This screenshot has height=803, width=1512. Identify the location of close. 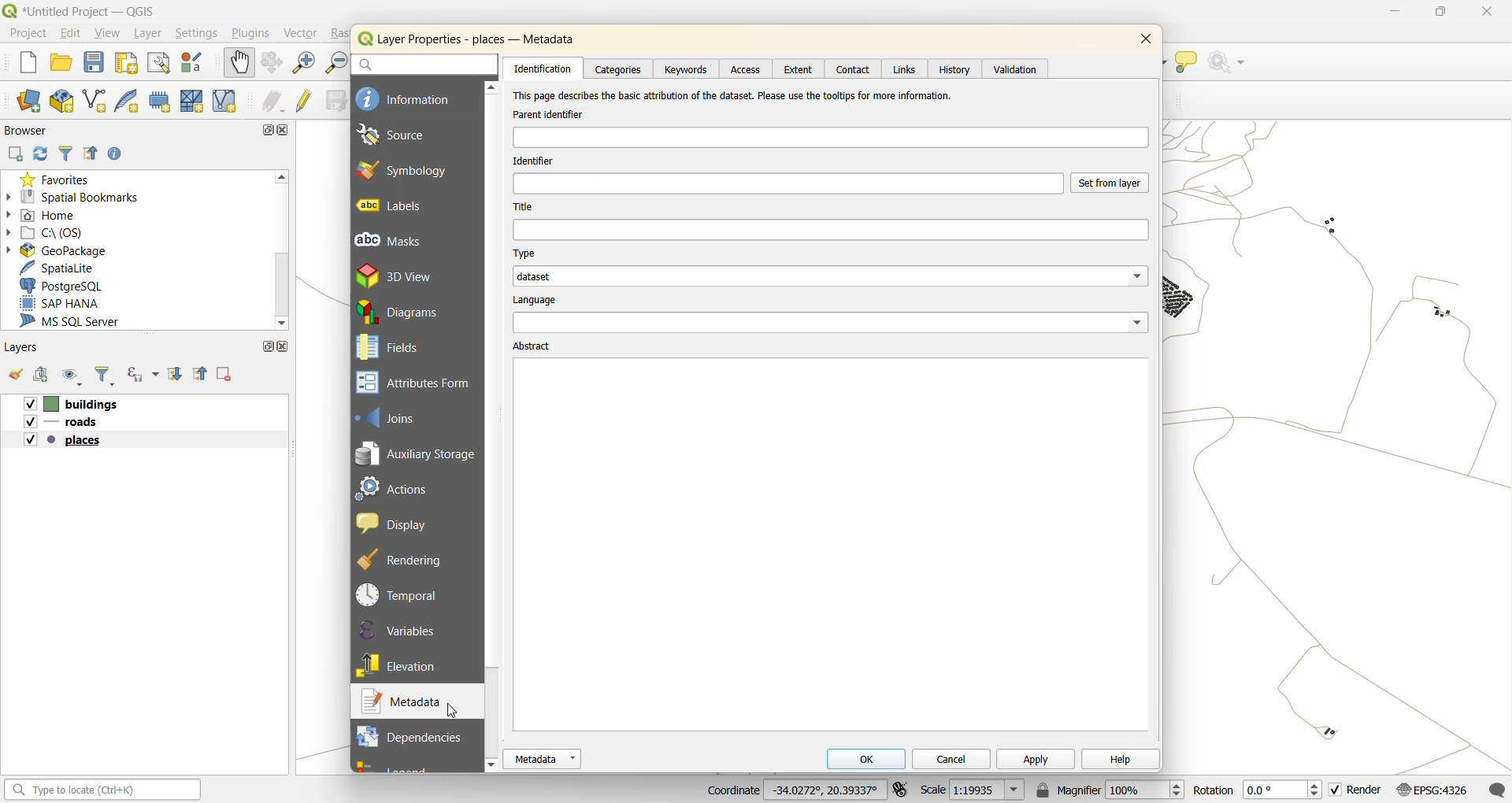
(286, 346).